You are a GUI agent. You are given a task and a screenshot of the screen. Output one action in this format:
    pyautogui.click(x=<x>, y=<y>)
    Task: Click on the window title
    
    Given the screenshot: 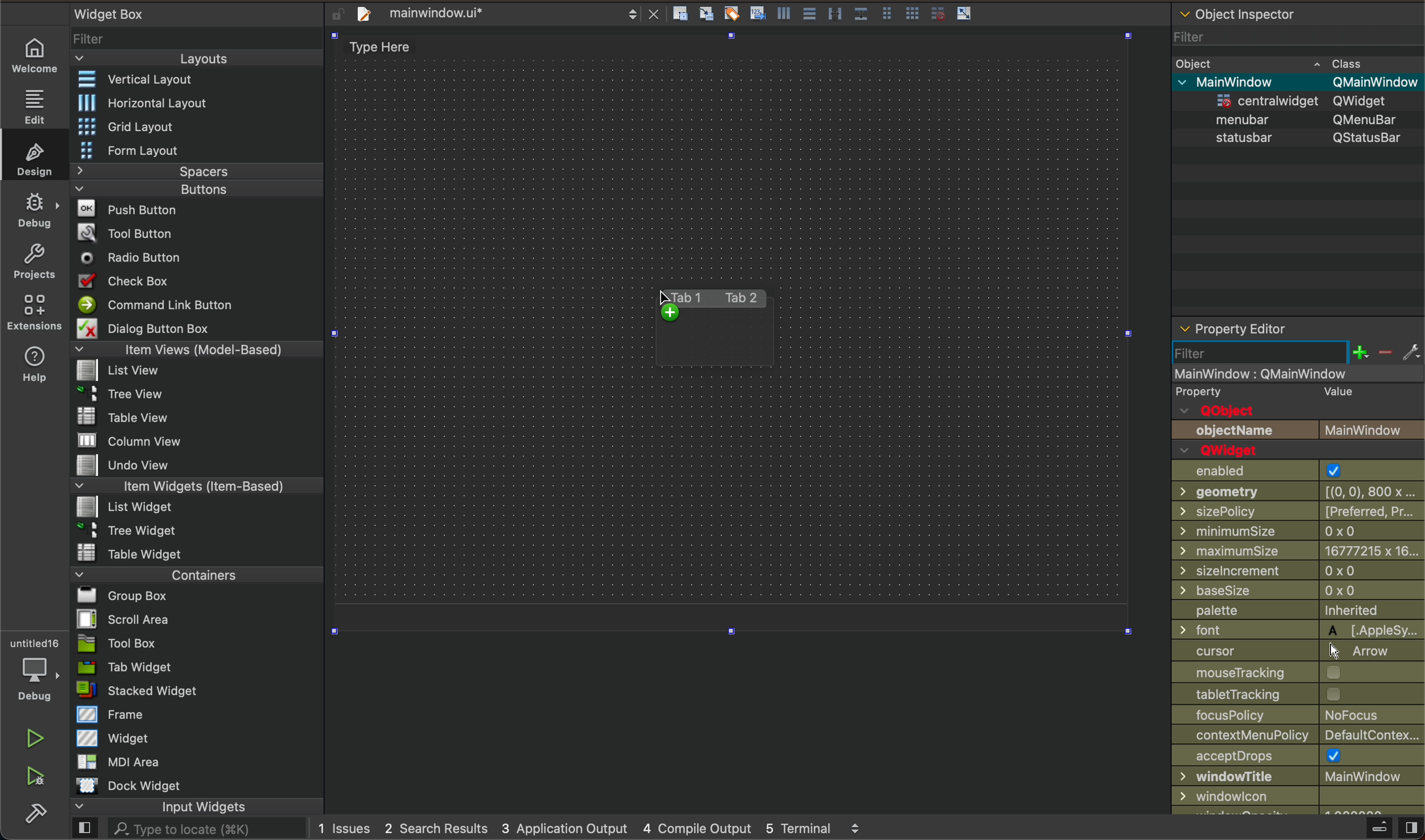 What is the action you would take?
    pyautogui.click(x=1299, y=777)
    